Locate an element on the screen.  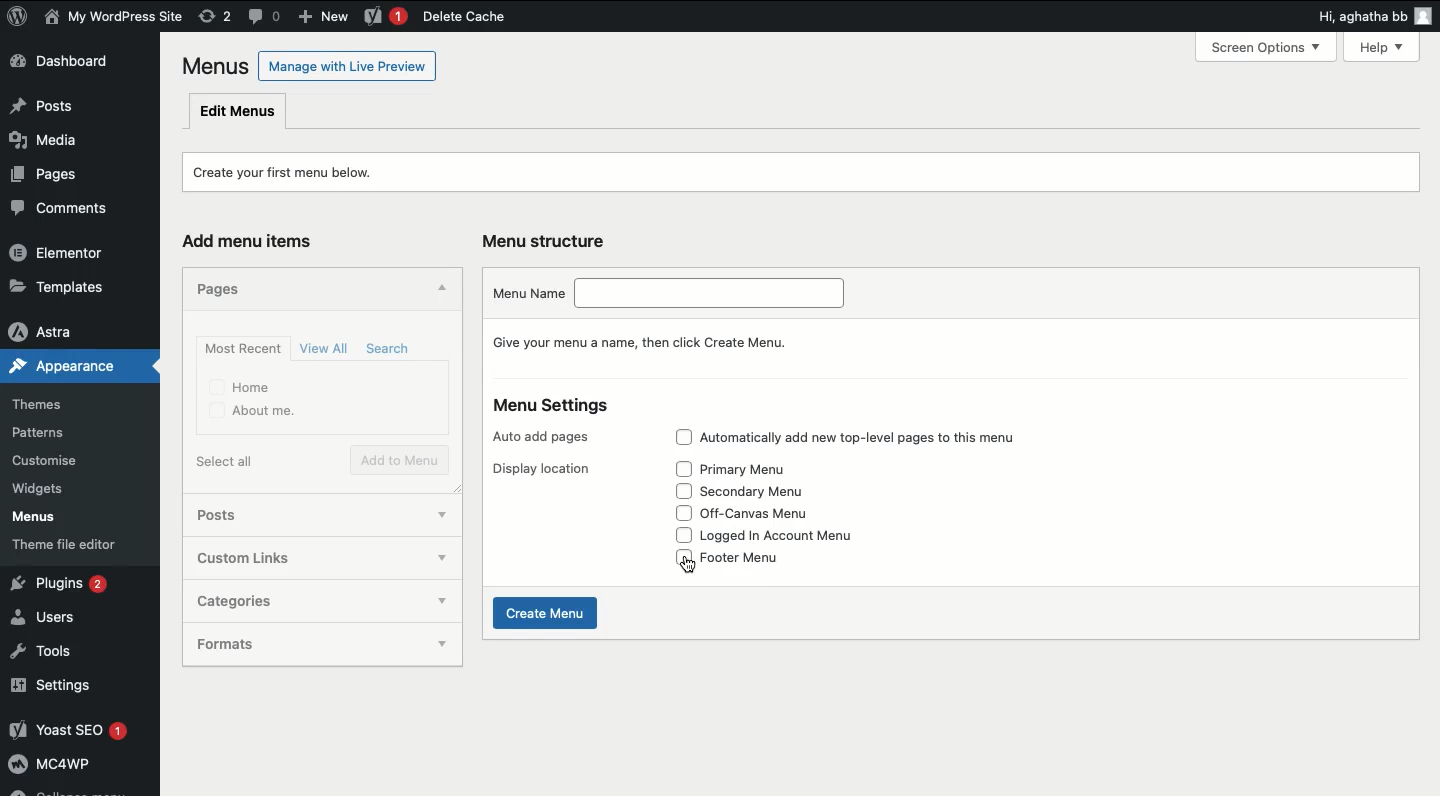
Menu settings is located at coordinates (552, 408).